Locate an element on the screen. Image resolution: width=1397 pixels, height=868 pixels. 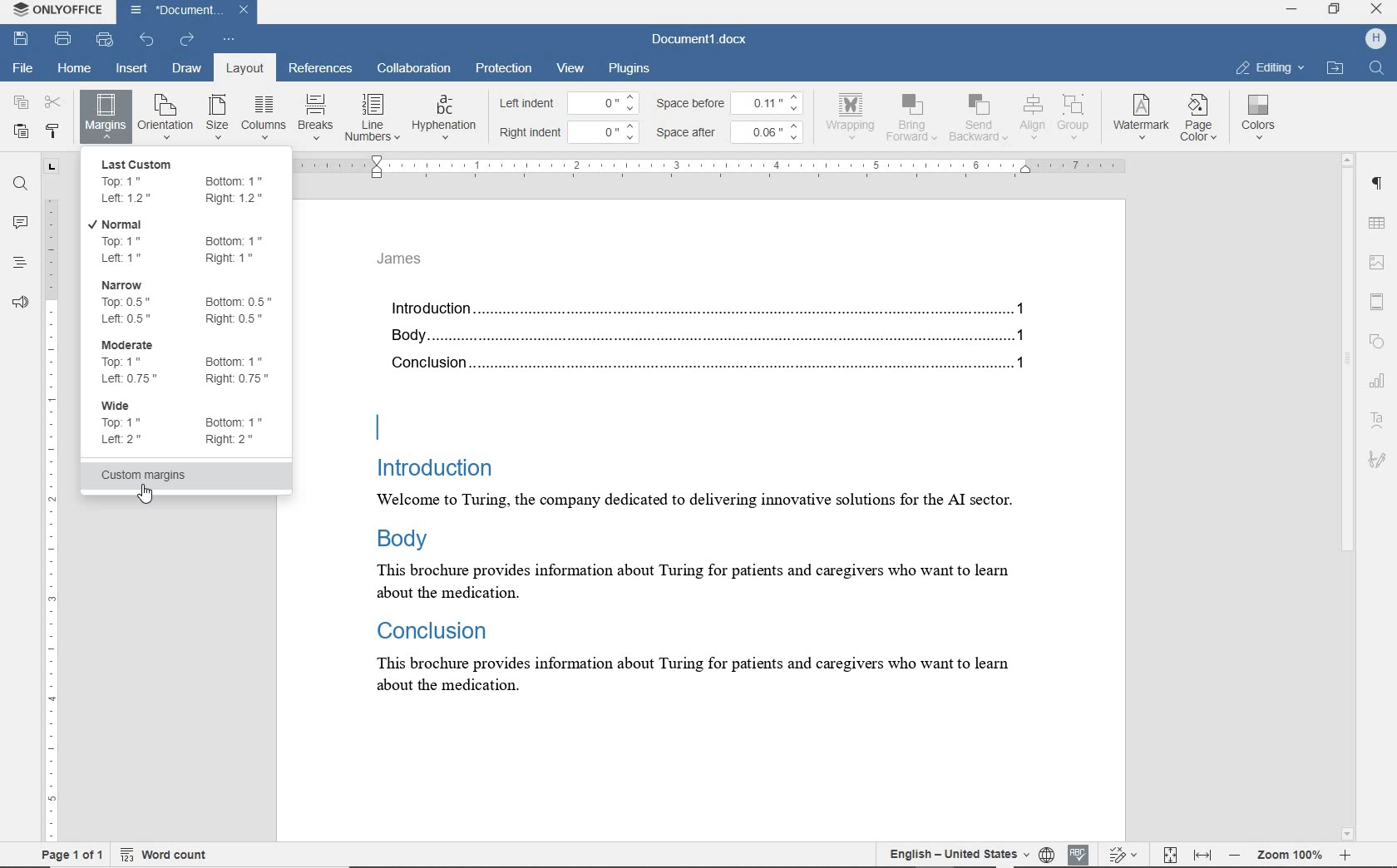
paste is located at coordinates (21, 131).